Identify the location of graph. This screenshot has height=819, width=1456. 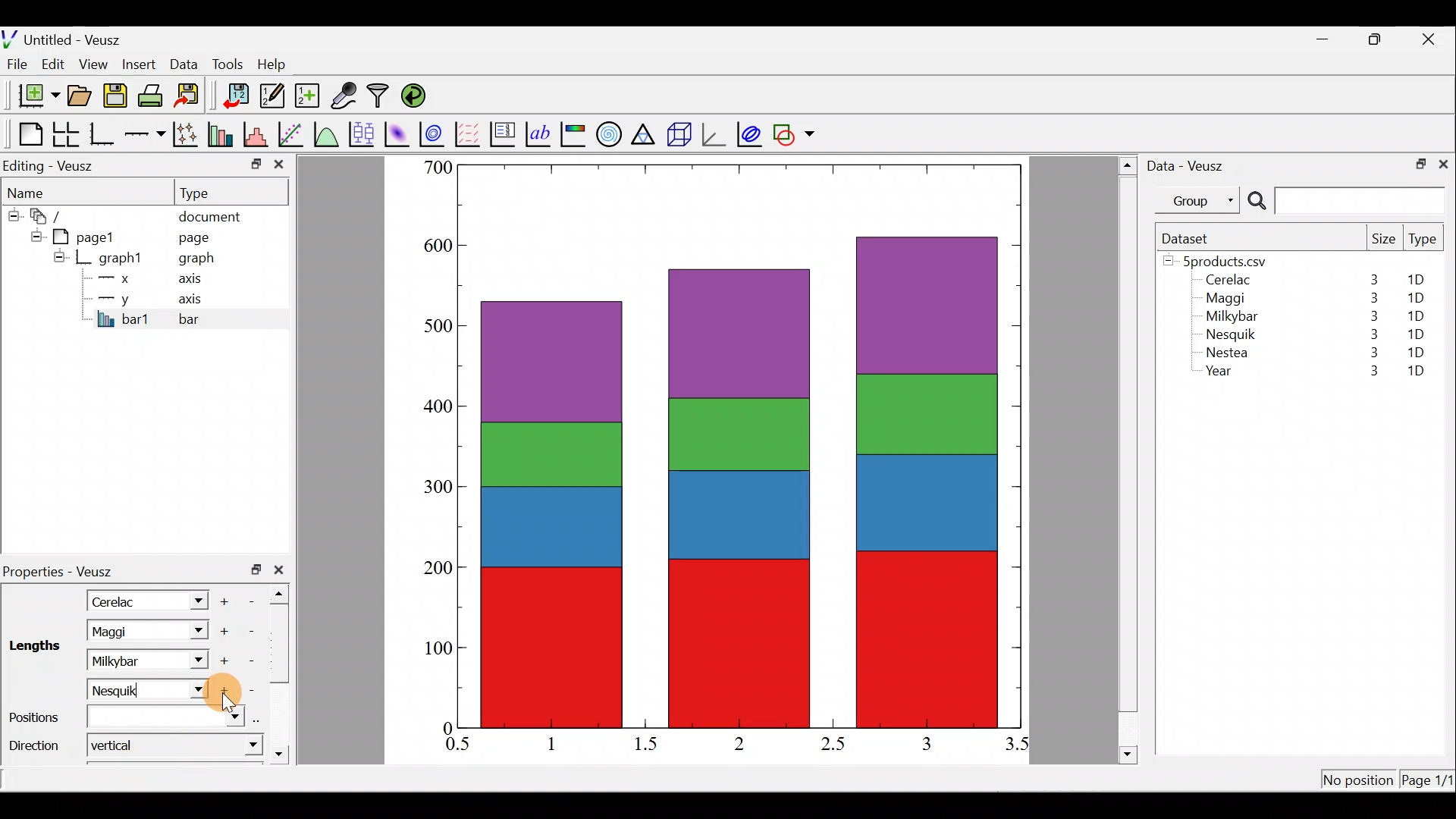
(196, 260).